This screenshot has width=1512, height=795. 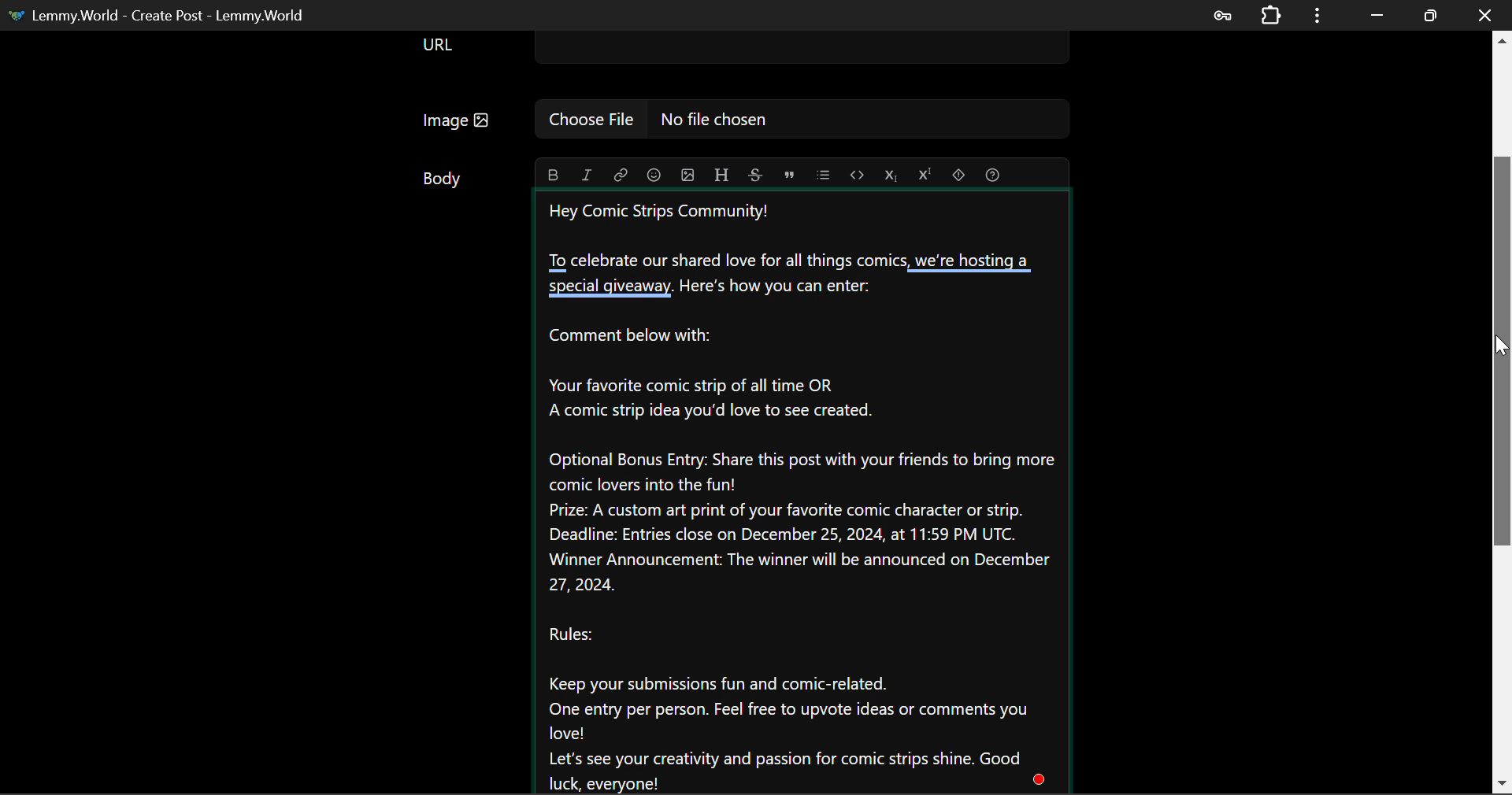 What do you see at coordinates (1377, 14) in the screenshot?
I see `Restore Down` at bounding box center [1377, 14].